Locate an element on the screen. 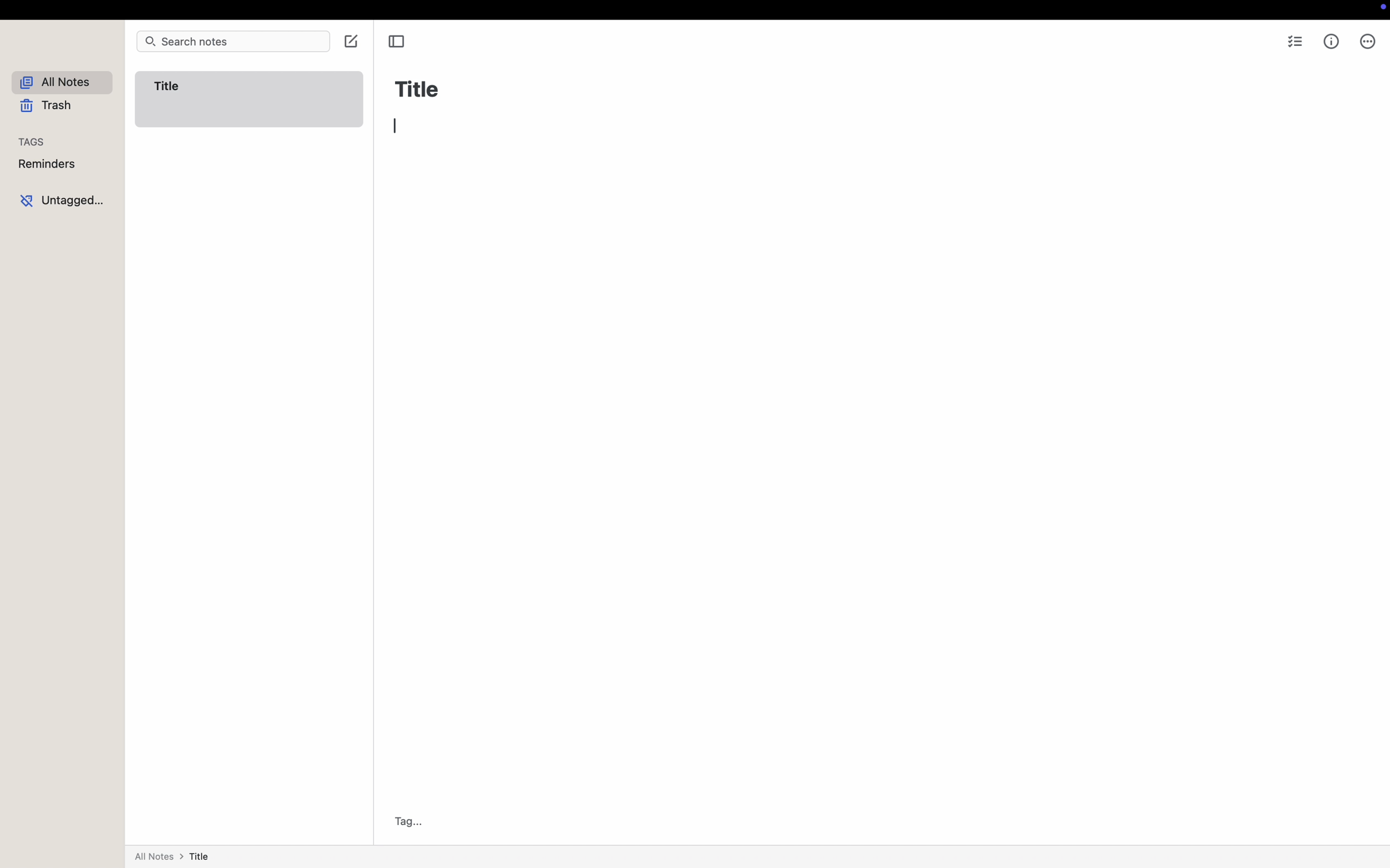 The width and height of the screenshot is (1390, 868). Title is located at coordinates (249, 99).